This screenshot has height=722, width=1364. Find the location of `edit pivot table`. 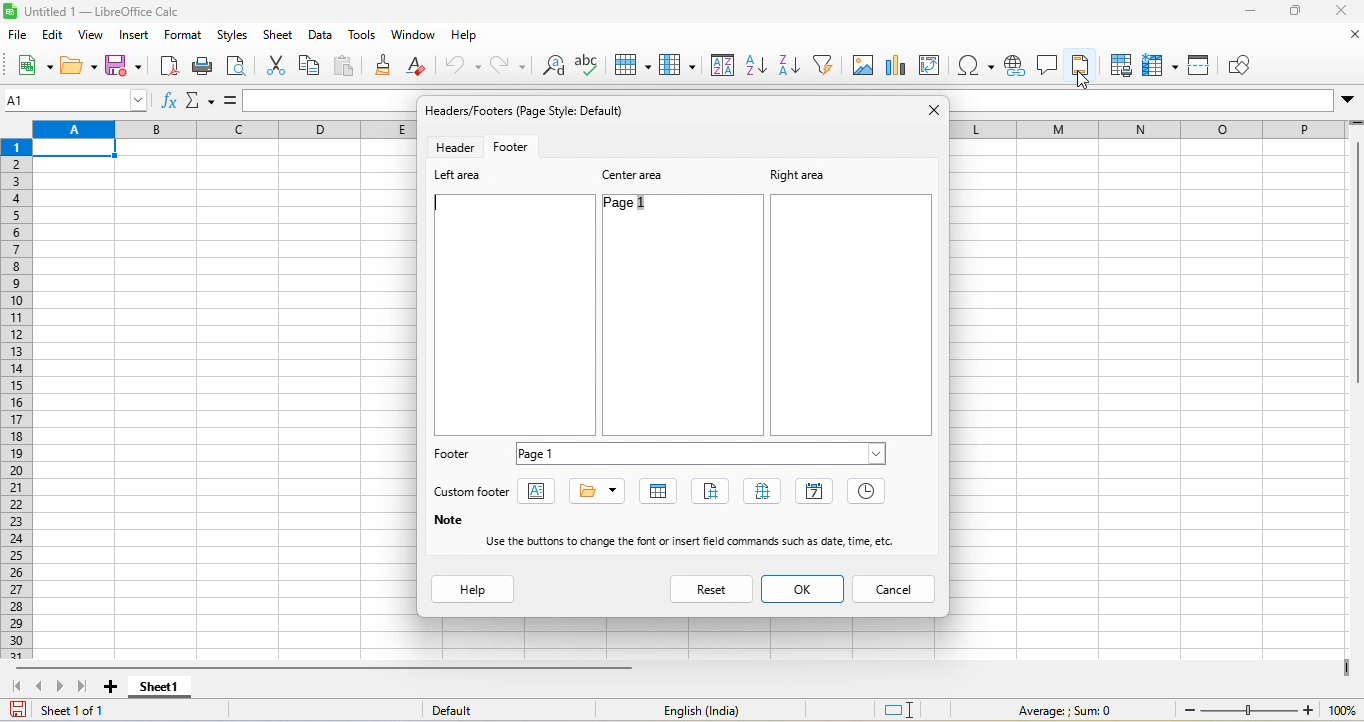

edit pivot table is located at coordinates (937, 67).